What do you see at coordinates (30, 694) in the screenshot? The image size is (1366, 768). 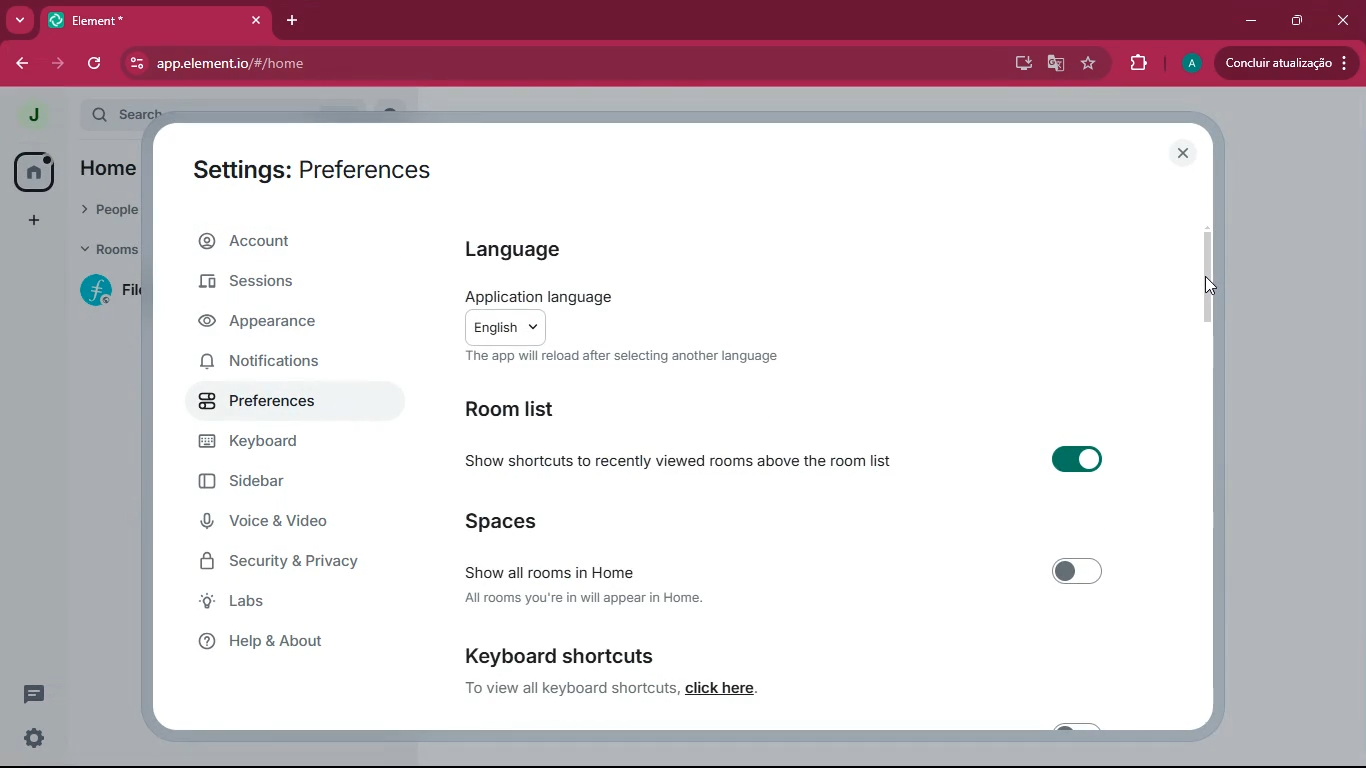 I see `comments` at bounding box center [30, 694].